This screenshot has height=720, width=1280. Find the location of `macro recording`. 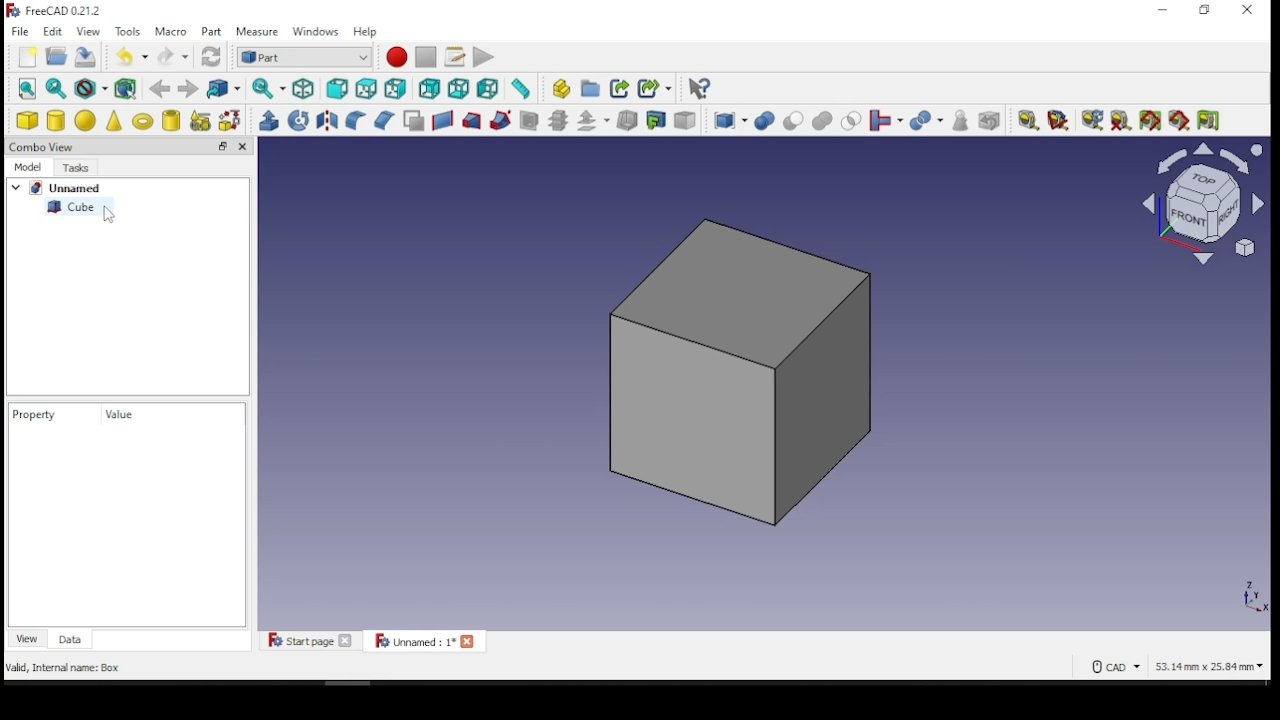

macro recording is located at coordinates (397, 57).